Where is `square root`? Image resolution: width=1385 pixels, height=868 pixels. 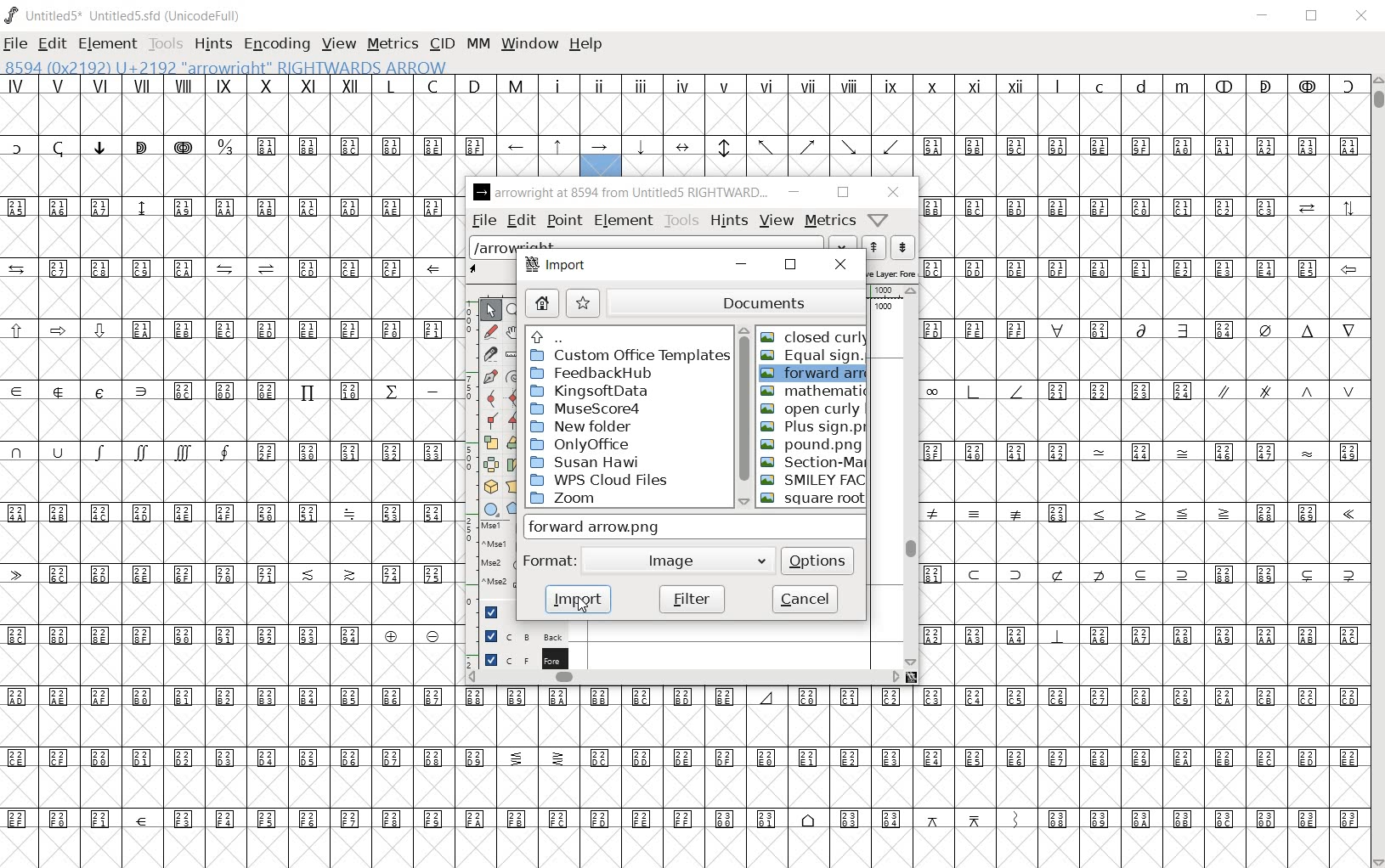
square root is located at coordinates (811, 499).